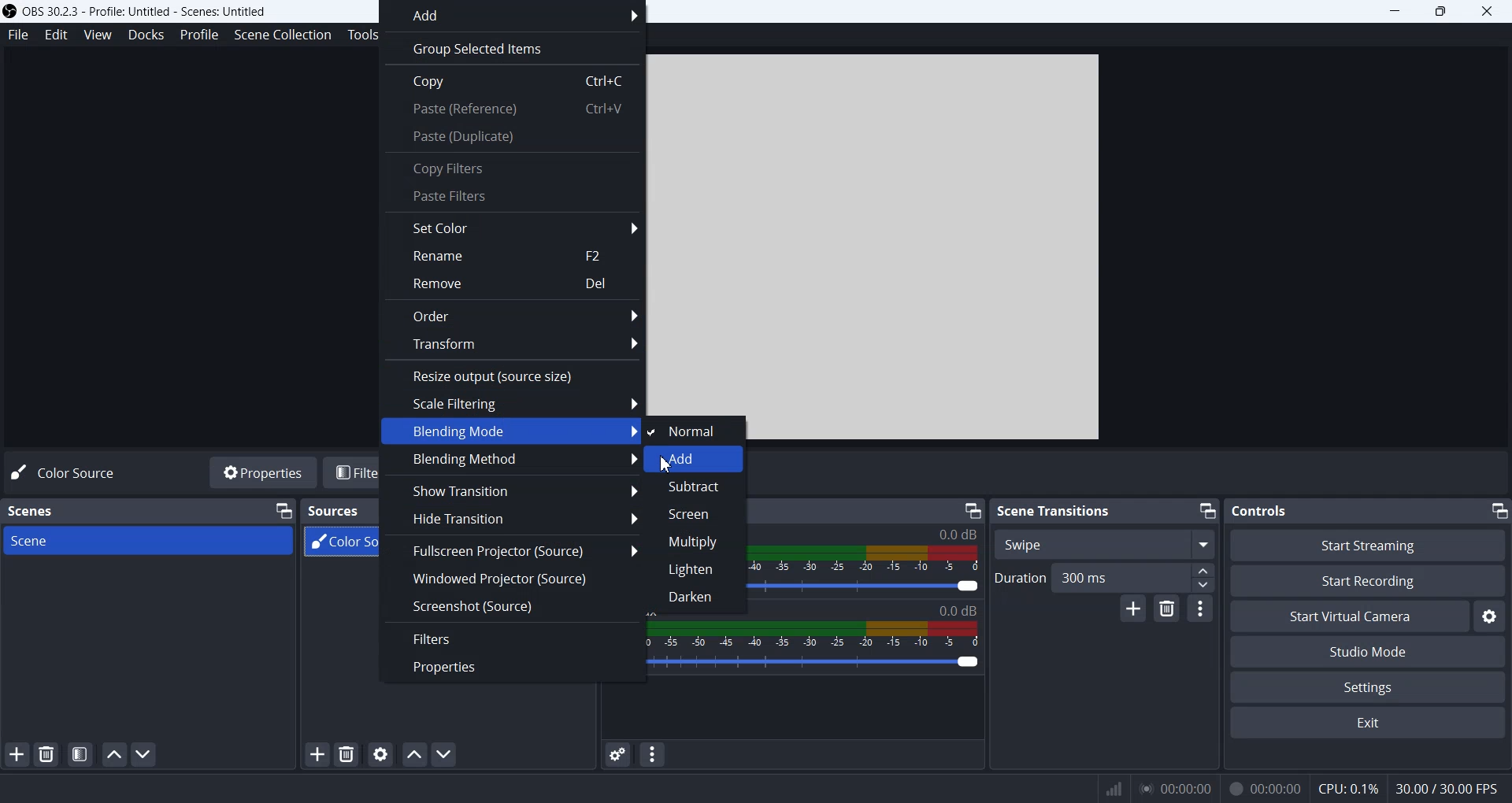 The width and height of the screenshot is (1512, 803). Describe the element at coordinates (413, 754) in the screenshot. I see `Move source Up` at that location.